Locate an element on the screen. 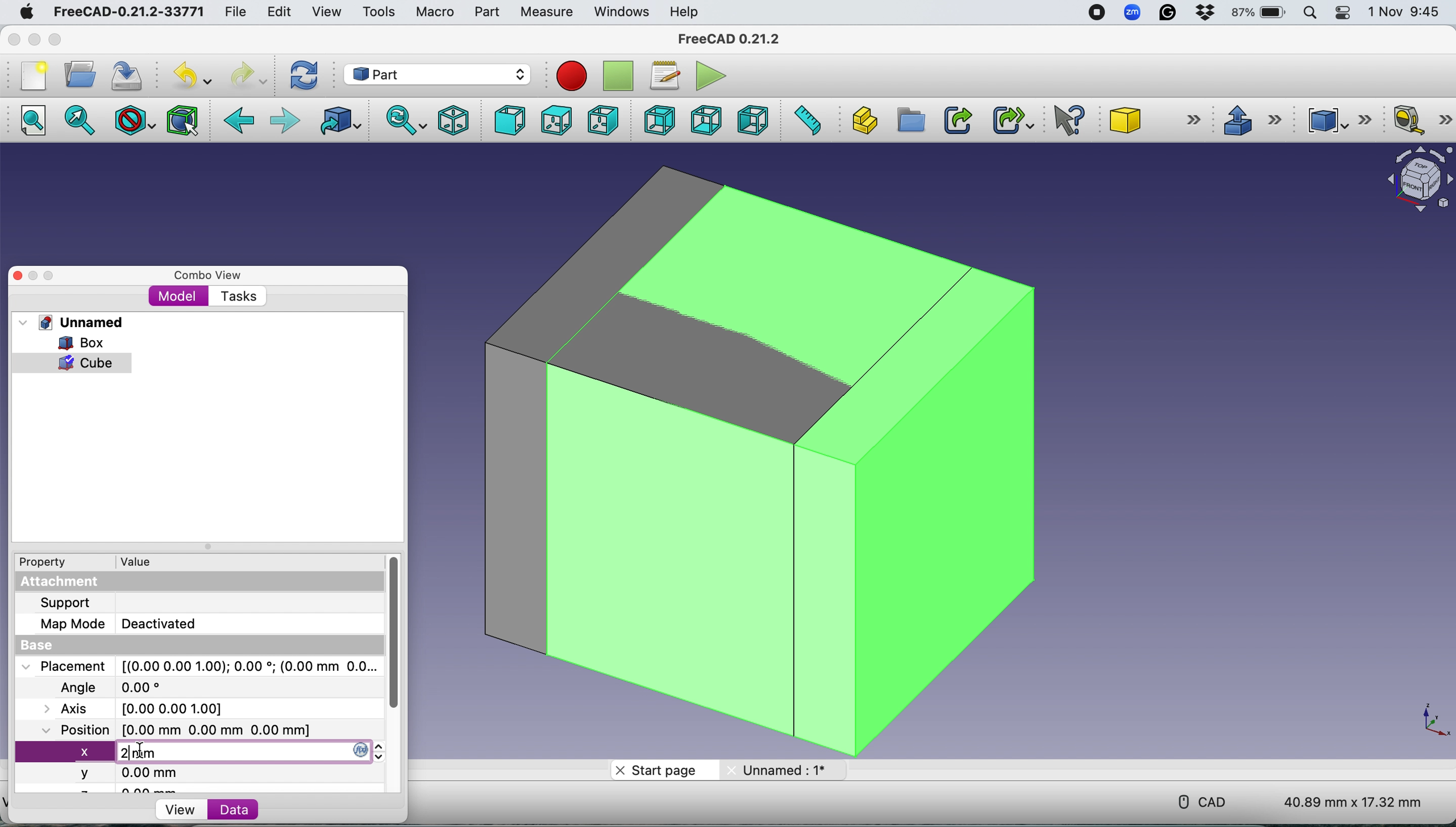 The width and height of the screenshot is (1456, 827). Fit all is located at coordinates (39, 122).